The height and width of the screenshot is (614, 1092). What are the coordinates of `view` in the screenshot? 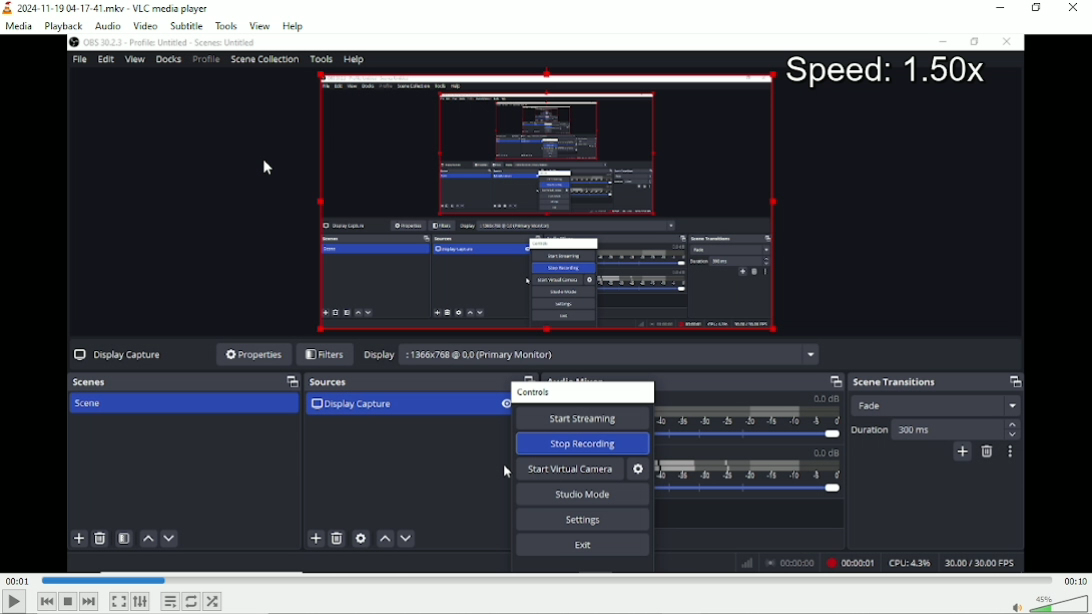 It's located at (261, 24).